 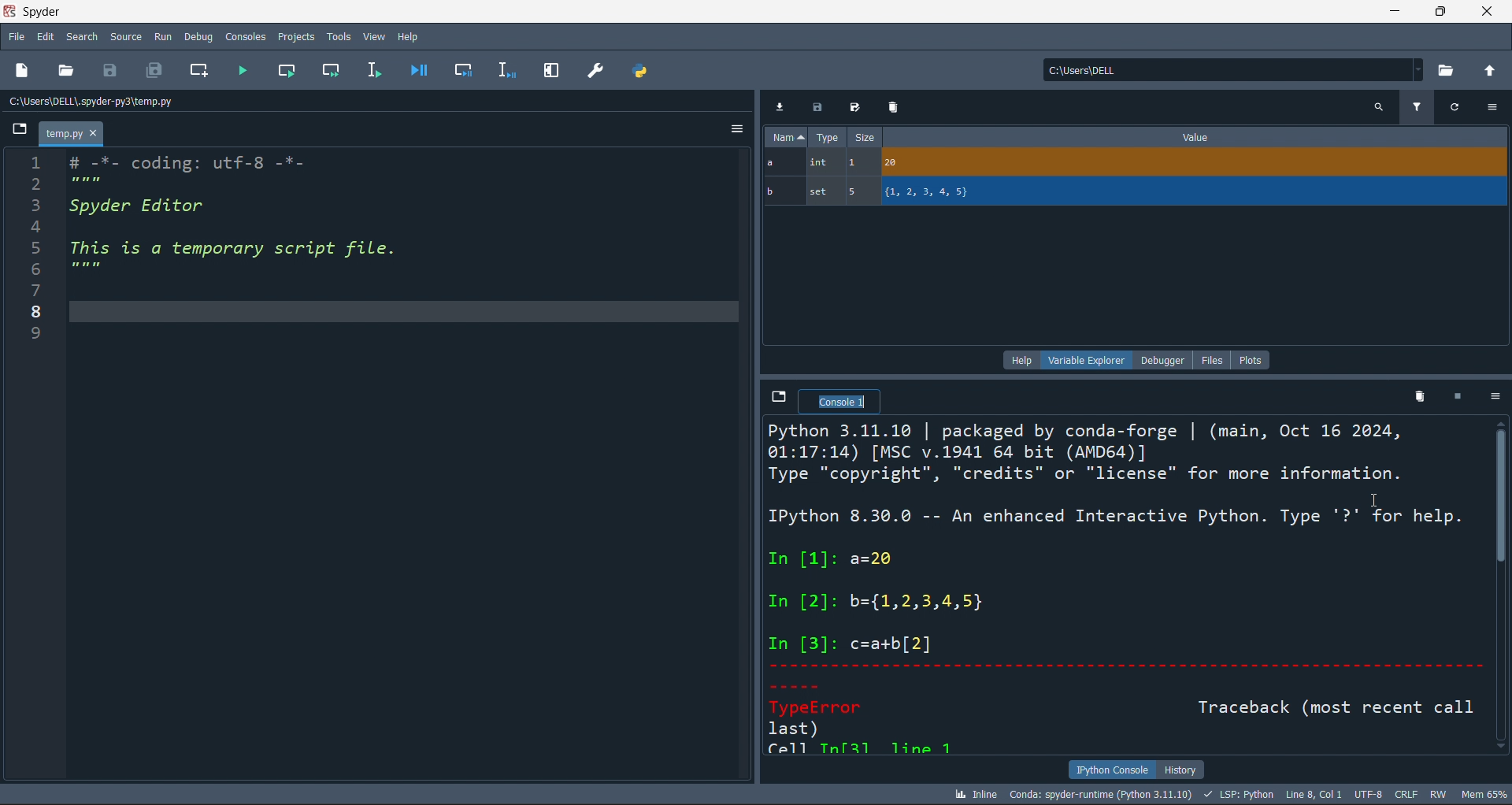 I want to click on PROJECTS, so click(x=296, y=36).